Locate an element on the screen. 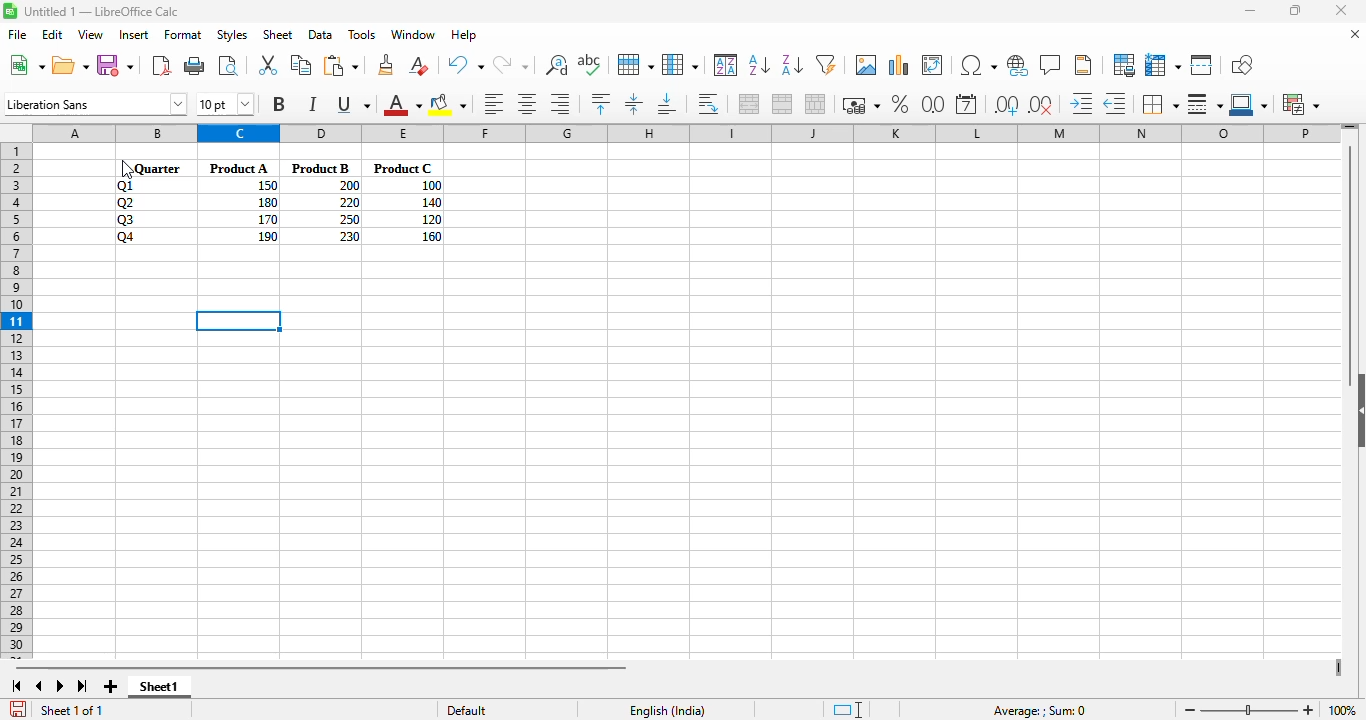 This screenshot has width=1366, height=720. freeze rows and columns is located at coordinates (1163, 65).